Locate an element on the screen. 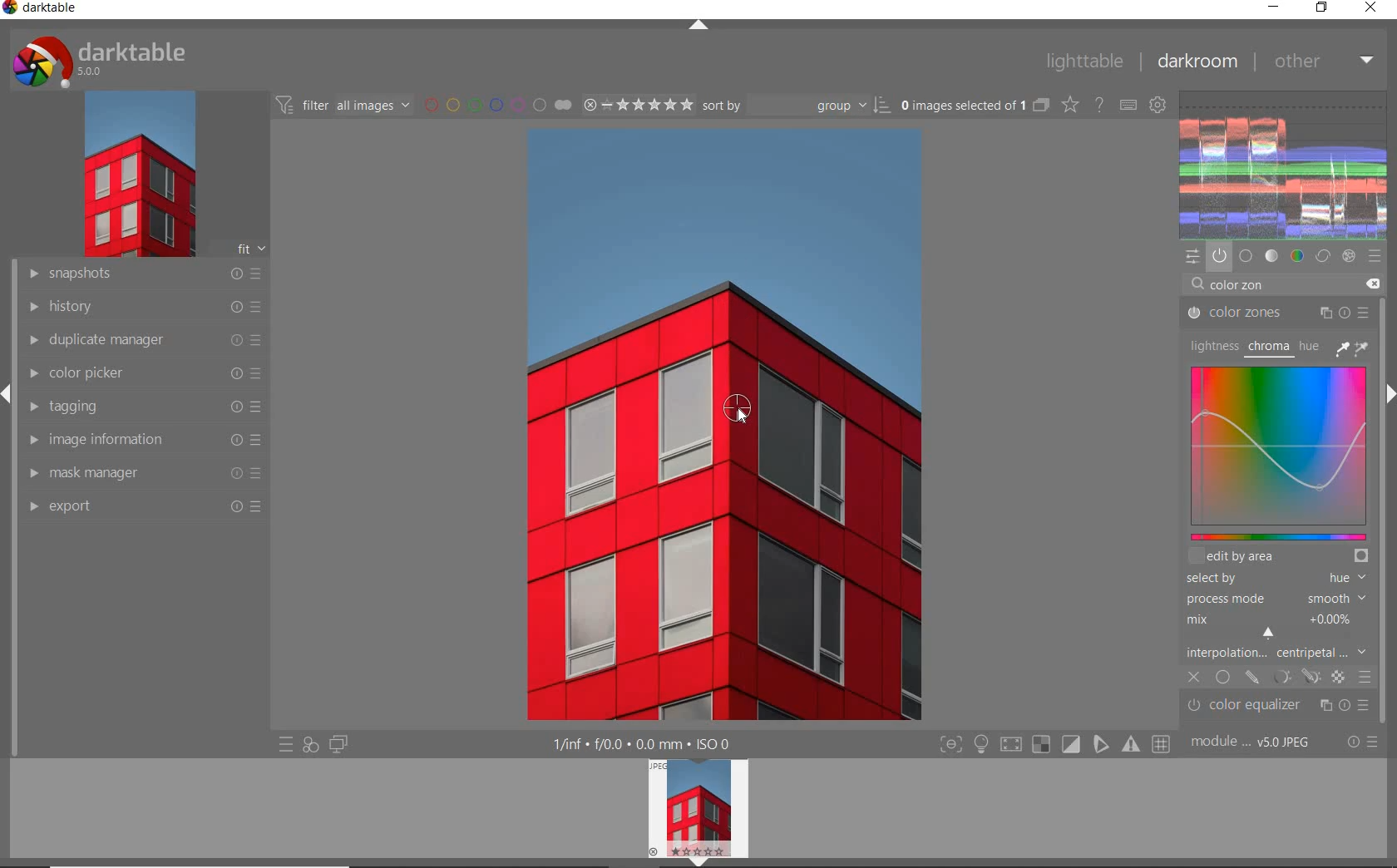  COLOR ZONES is located at coordinates (1278, 313).